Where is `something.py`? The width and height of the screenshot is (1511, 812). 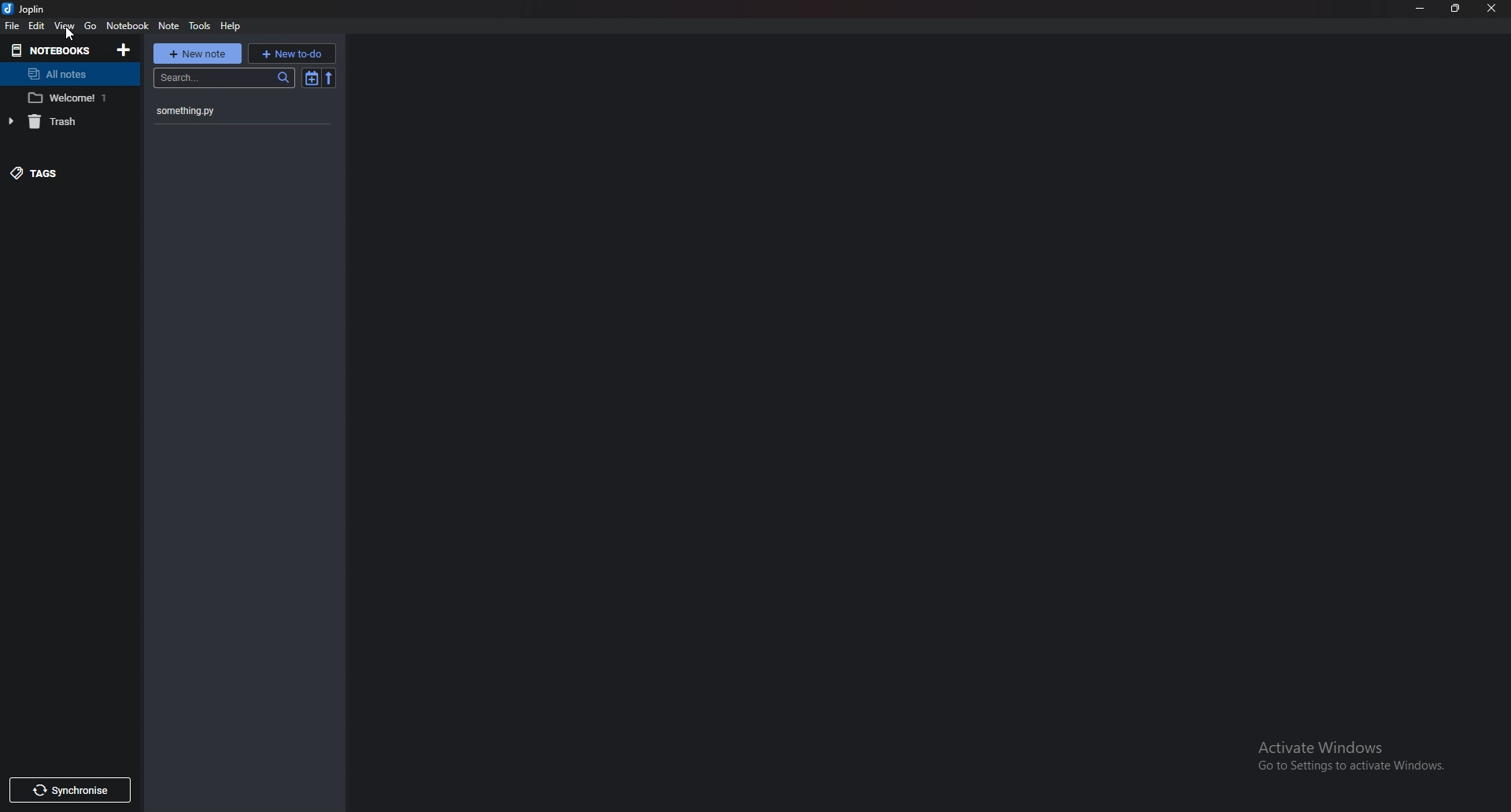
something.py is located at coordinates (220, 113).